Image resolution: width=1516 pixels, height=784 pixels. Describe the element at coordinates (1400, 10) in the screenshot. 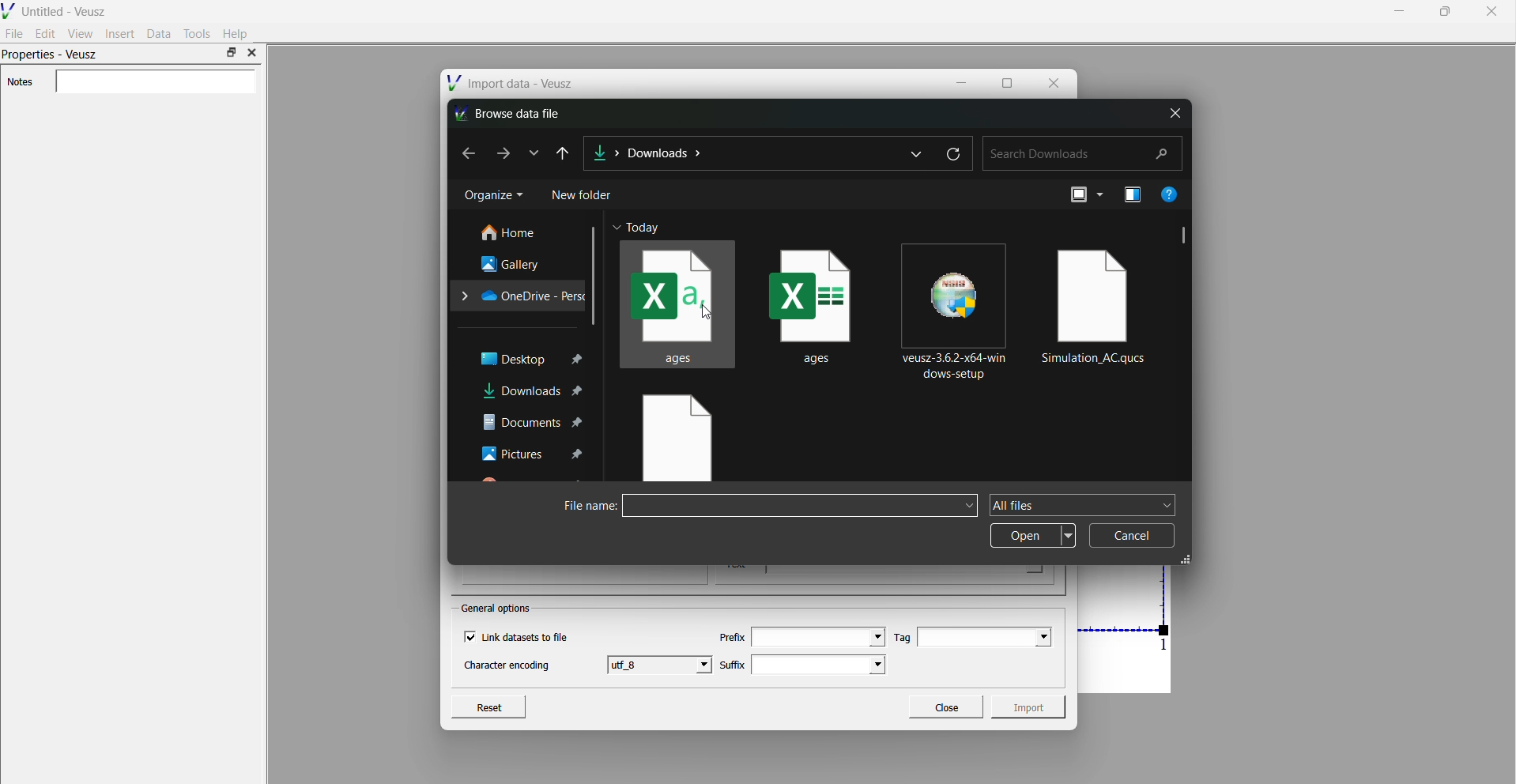

I see `minimise` at that location.